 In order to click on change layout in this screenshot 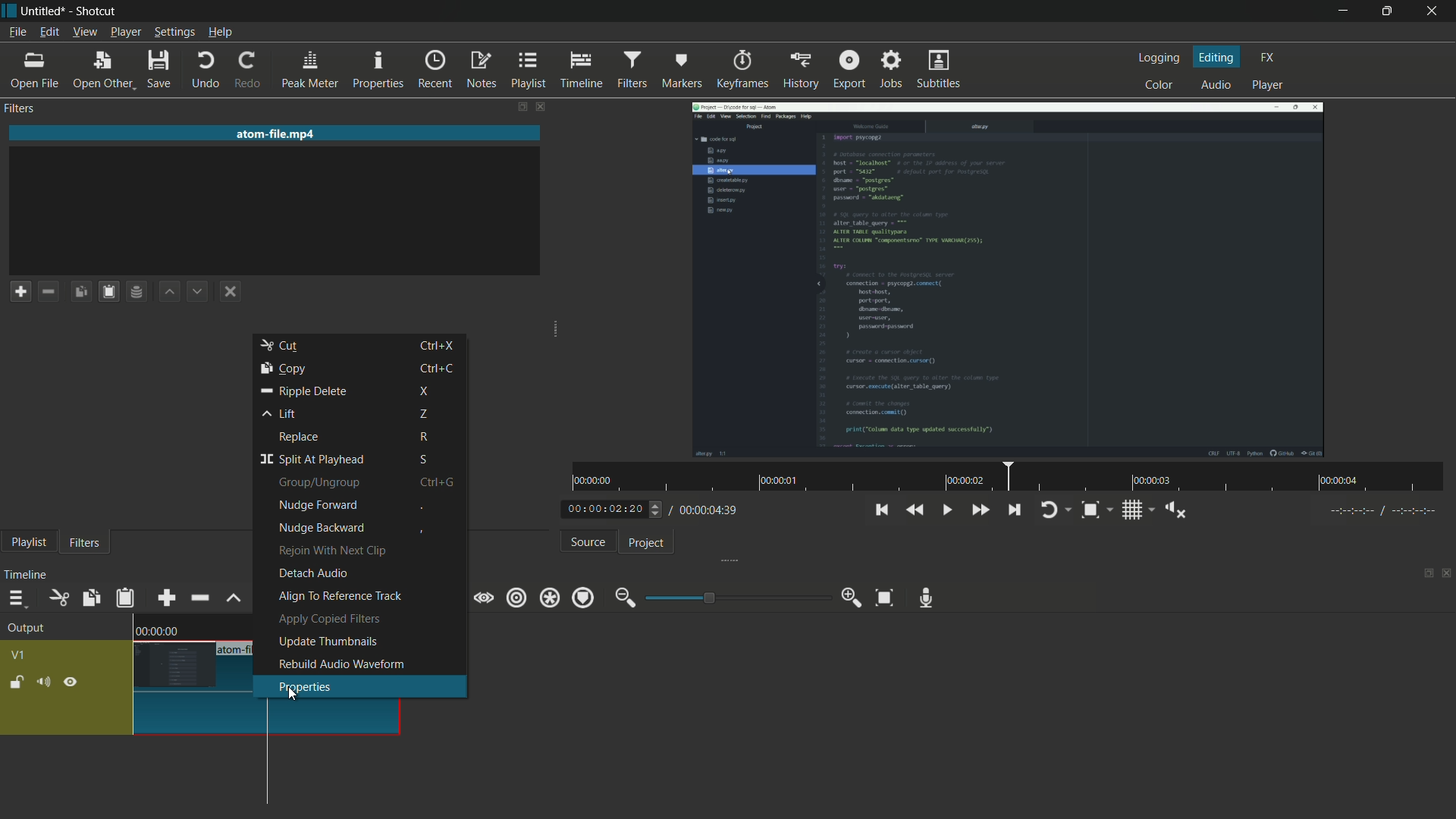, I will do `click(521, 108)`.